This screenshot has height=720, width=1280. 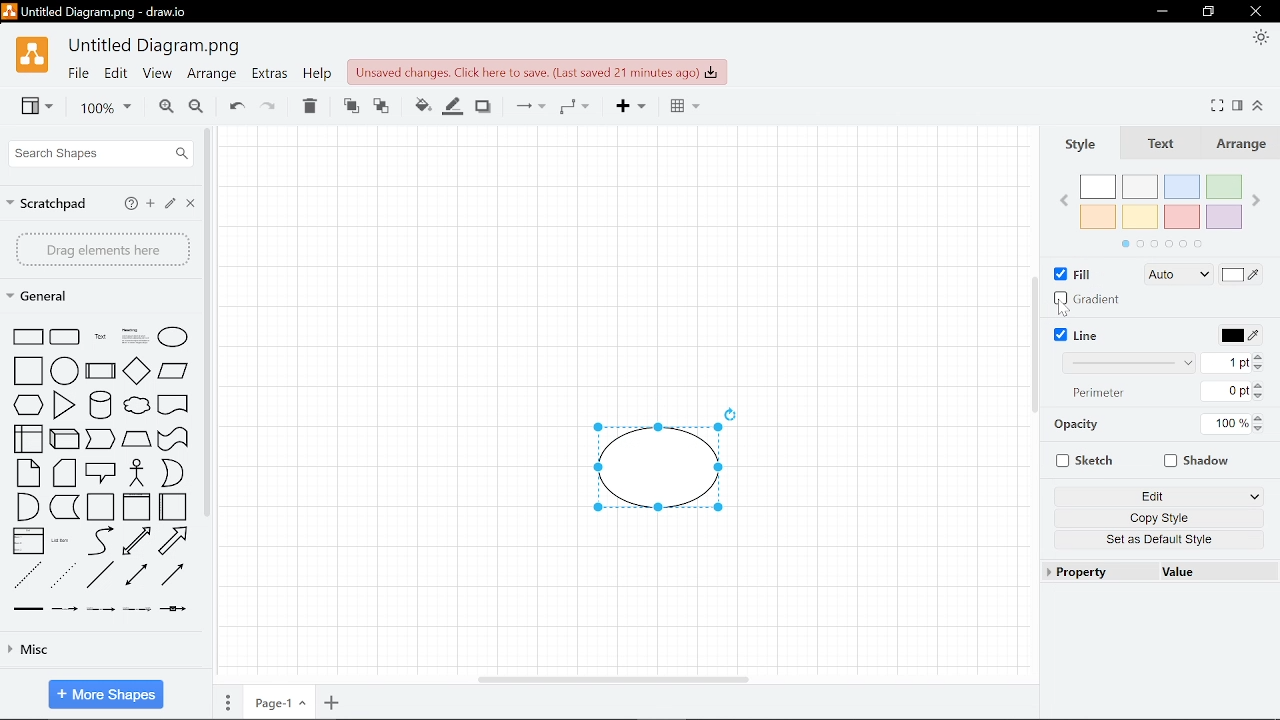 What do you see at coordinates (132, 204) in the screenshot?
I see `help` at bounding box center [132, 204].